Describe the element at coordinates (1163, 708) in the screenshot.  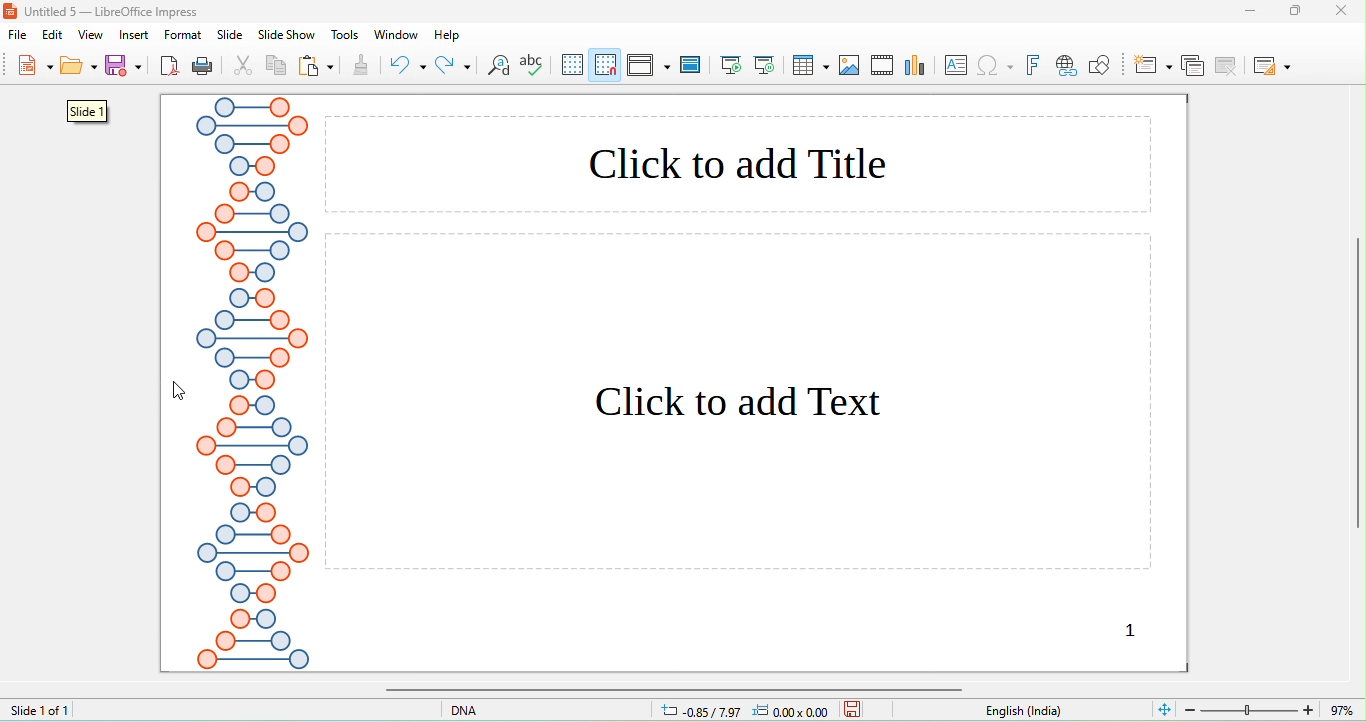
I see `fit to current window` at that location.